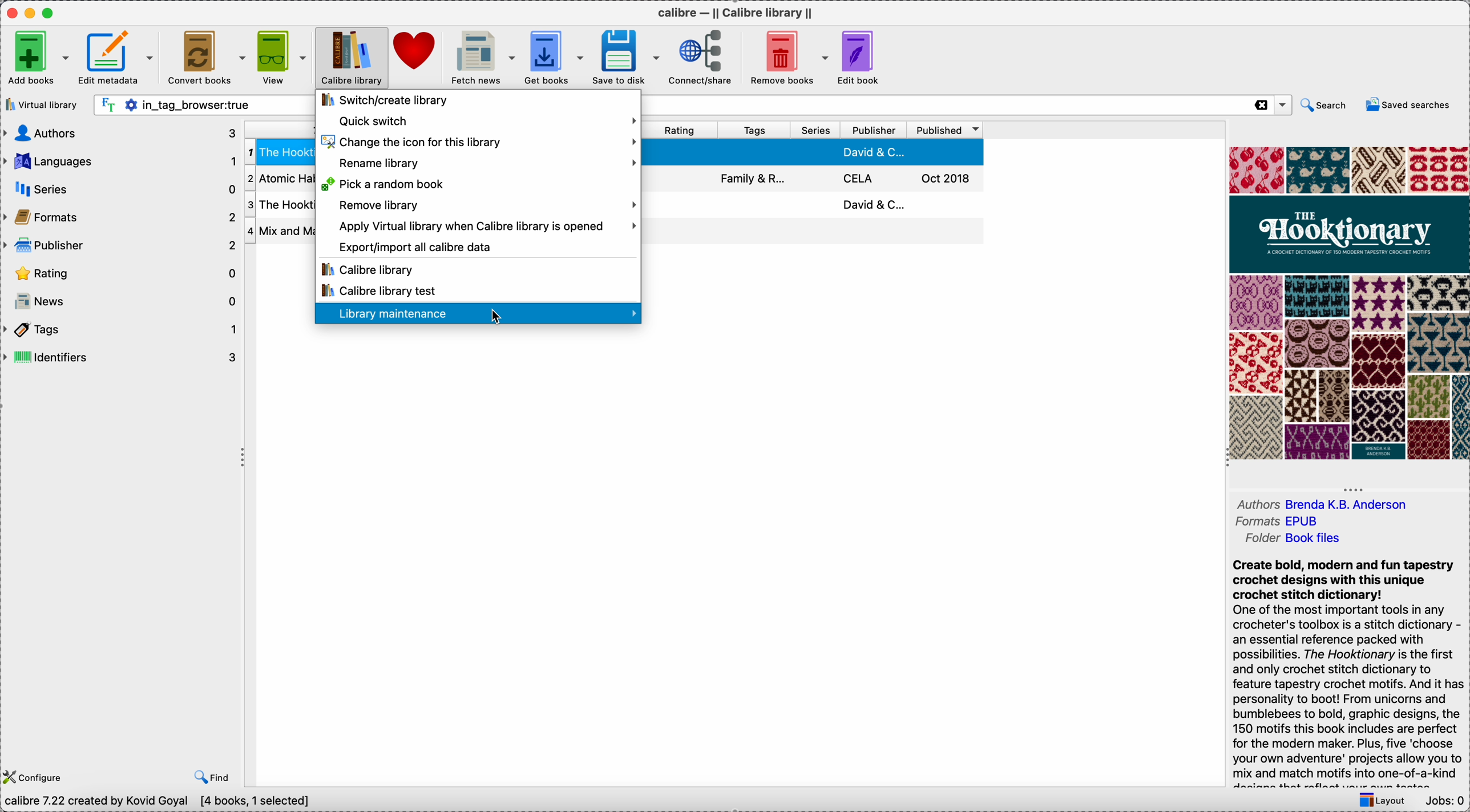 The image size is (1470, 812). What do you see at coordinates (52, 10) in the screenshot?
I see `maximize app` at bounding box center [52, 10].